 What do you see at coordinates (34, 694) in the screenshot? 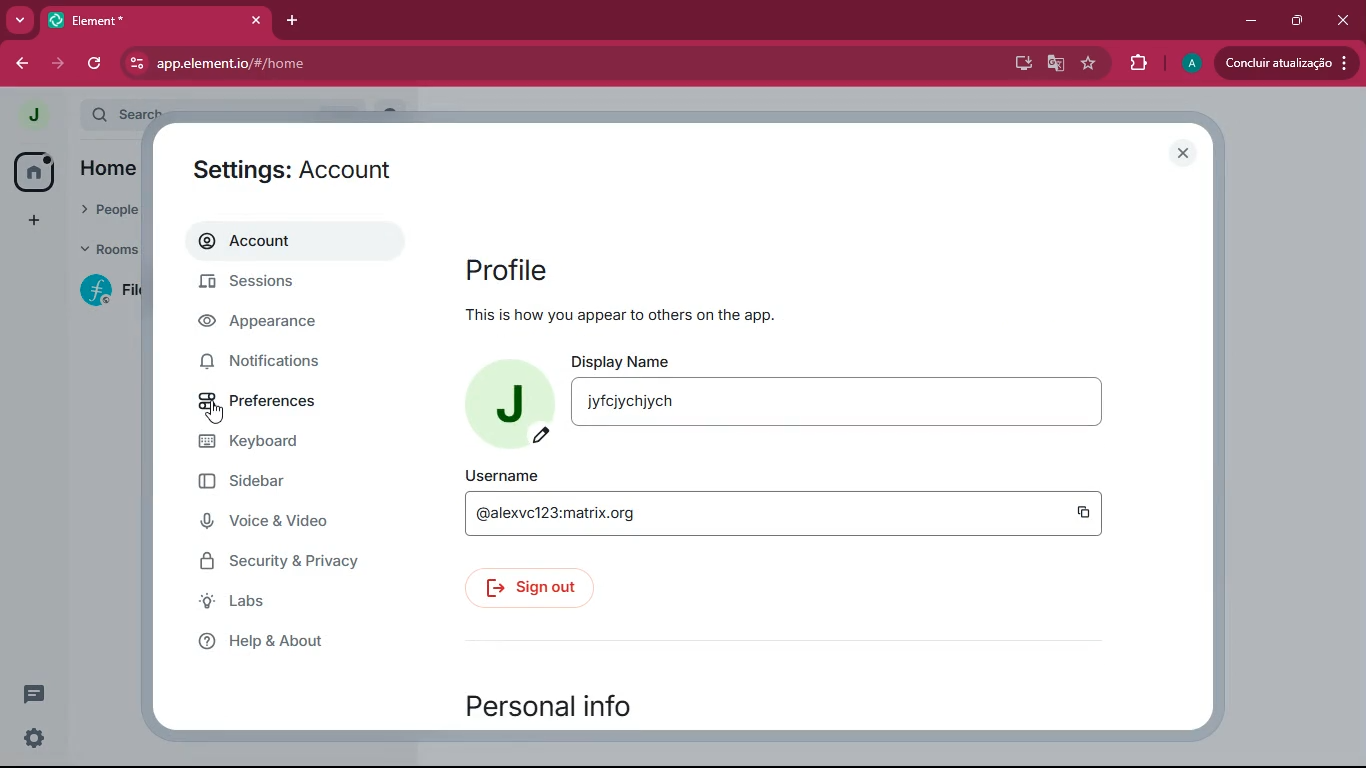
I see `threads` at bounding box center [34, 694].